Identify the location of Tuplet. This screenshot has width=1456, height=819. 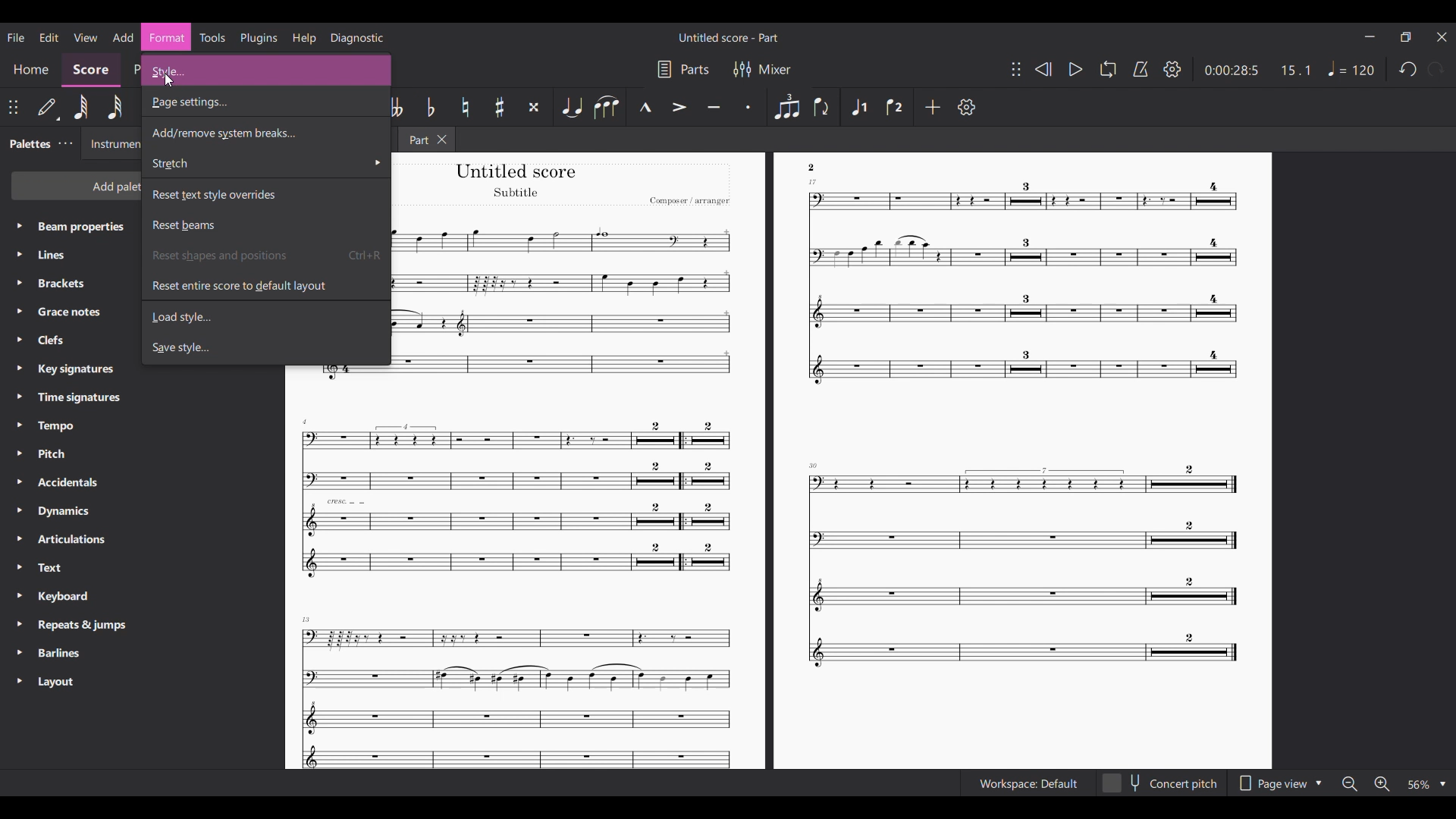
(786, 107).